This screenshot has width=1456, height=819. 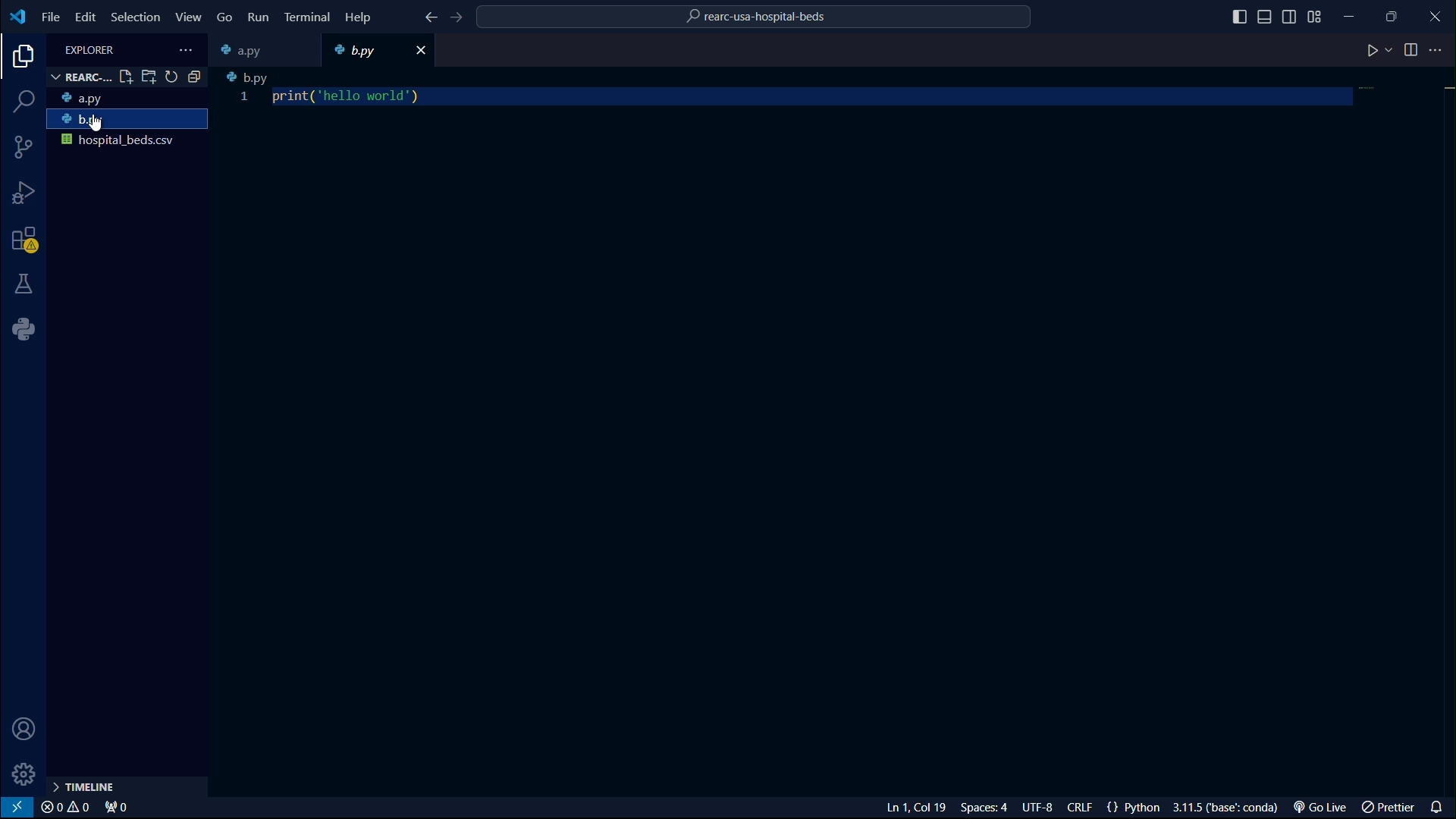 I want to click on prettier extension, so click(x=1389, y=807).